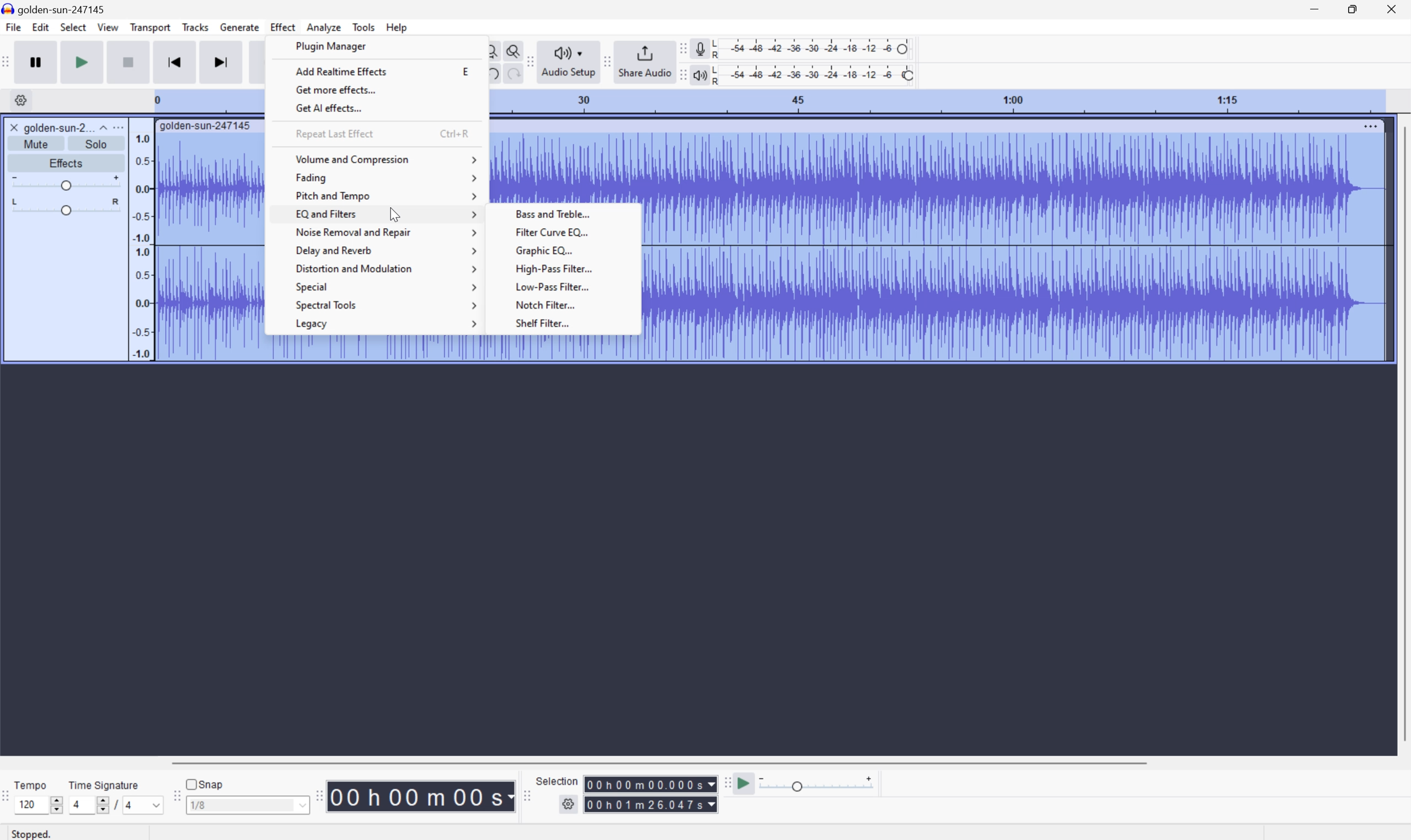 This screenshot has width=1411, height=840. What do you see at coordinates (87, 804) in the screenshot?
I see `4 slider` at bounding box center [87, 804].